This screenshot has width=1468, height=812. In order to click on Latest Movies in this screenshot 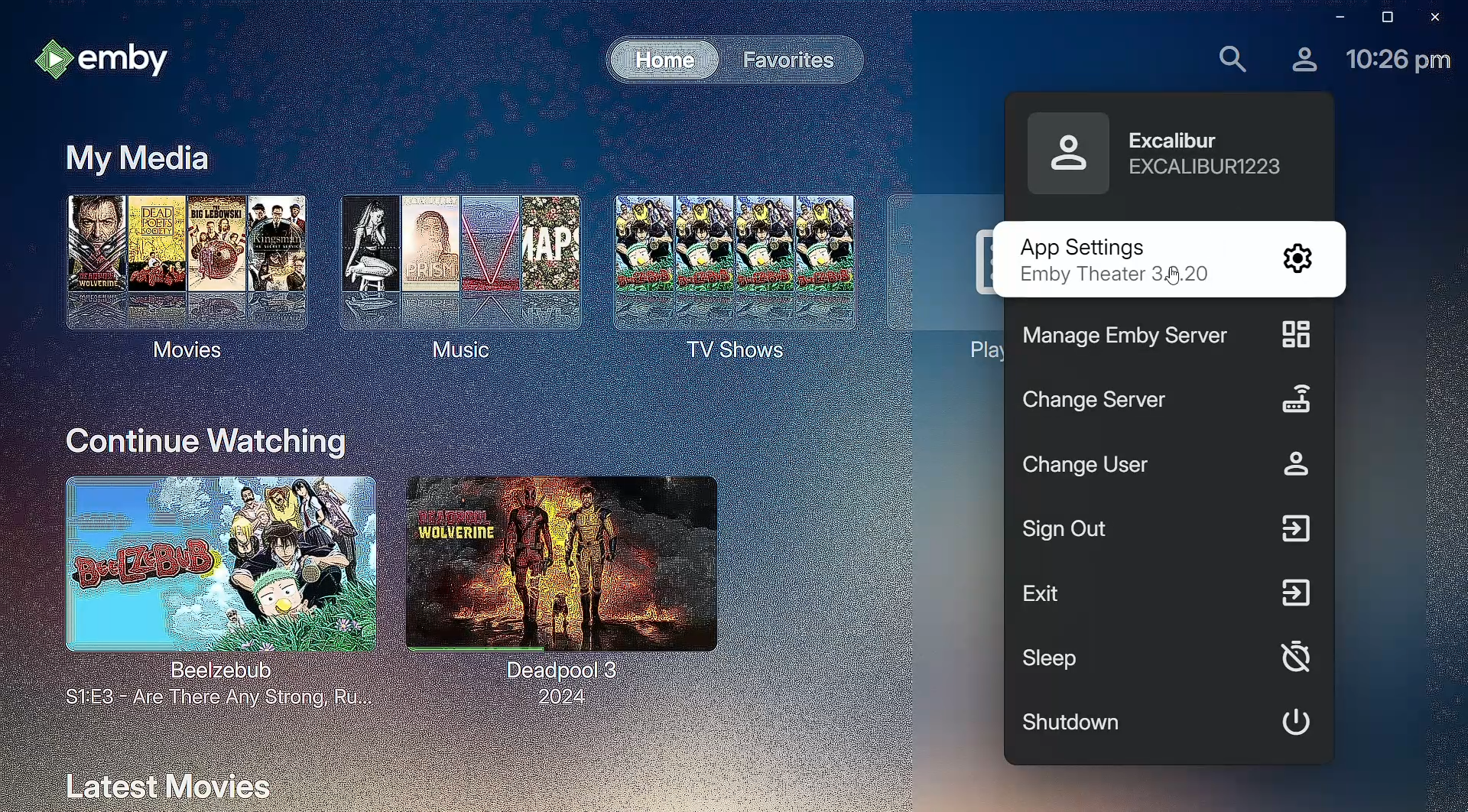, I will do `click(167, 781)`.